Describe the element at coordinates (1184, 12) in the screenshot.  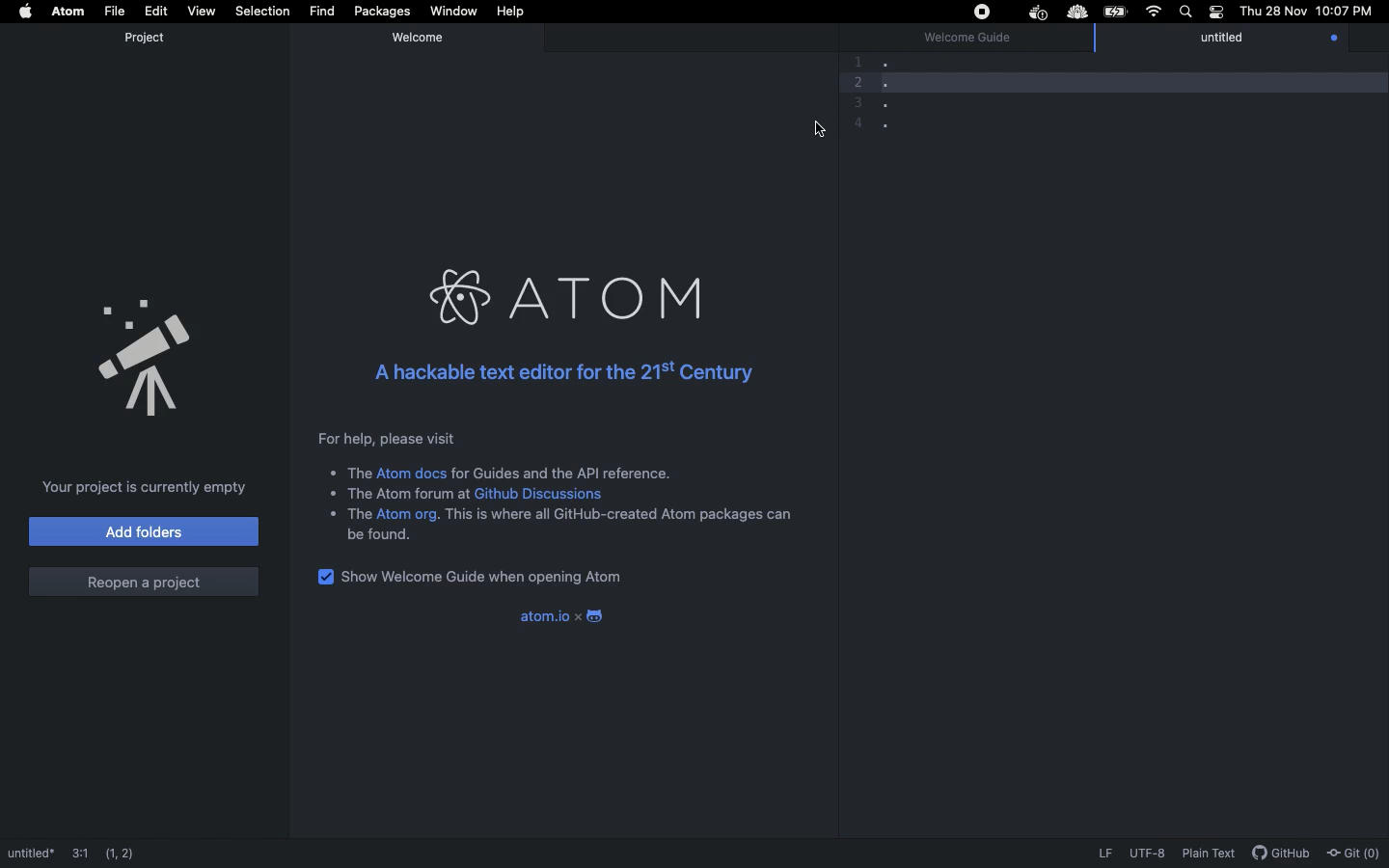
I see `Search` at that location.